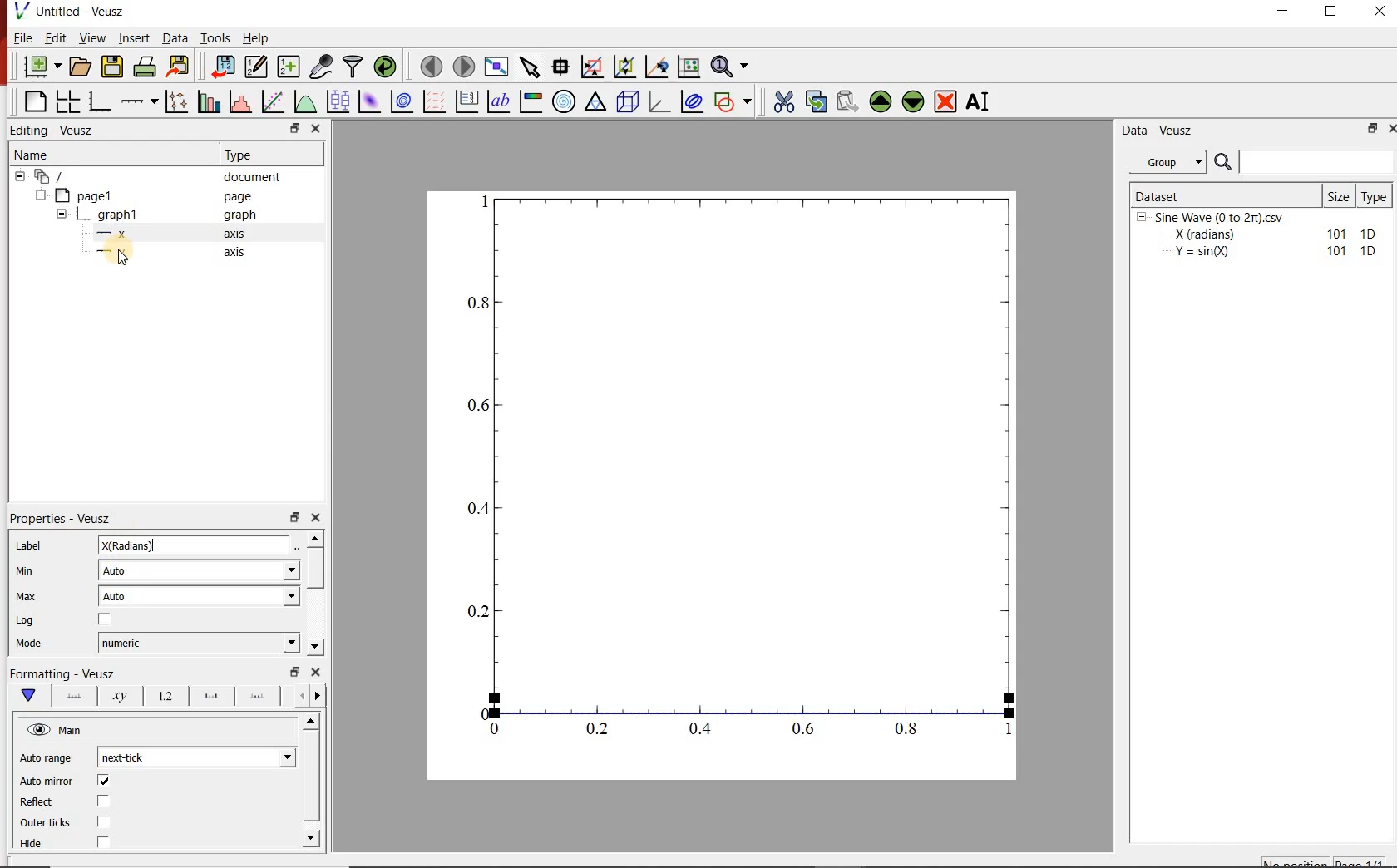 Image resolution: width=1397 pixels, height=868 pixels. Describe the element at coordinates (211, 100) in the screenshot. I see `plot bar charts` at that location.